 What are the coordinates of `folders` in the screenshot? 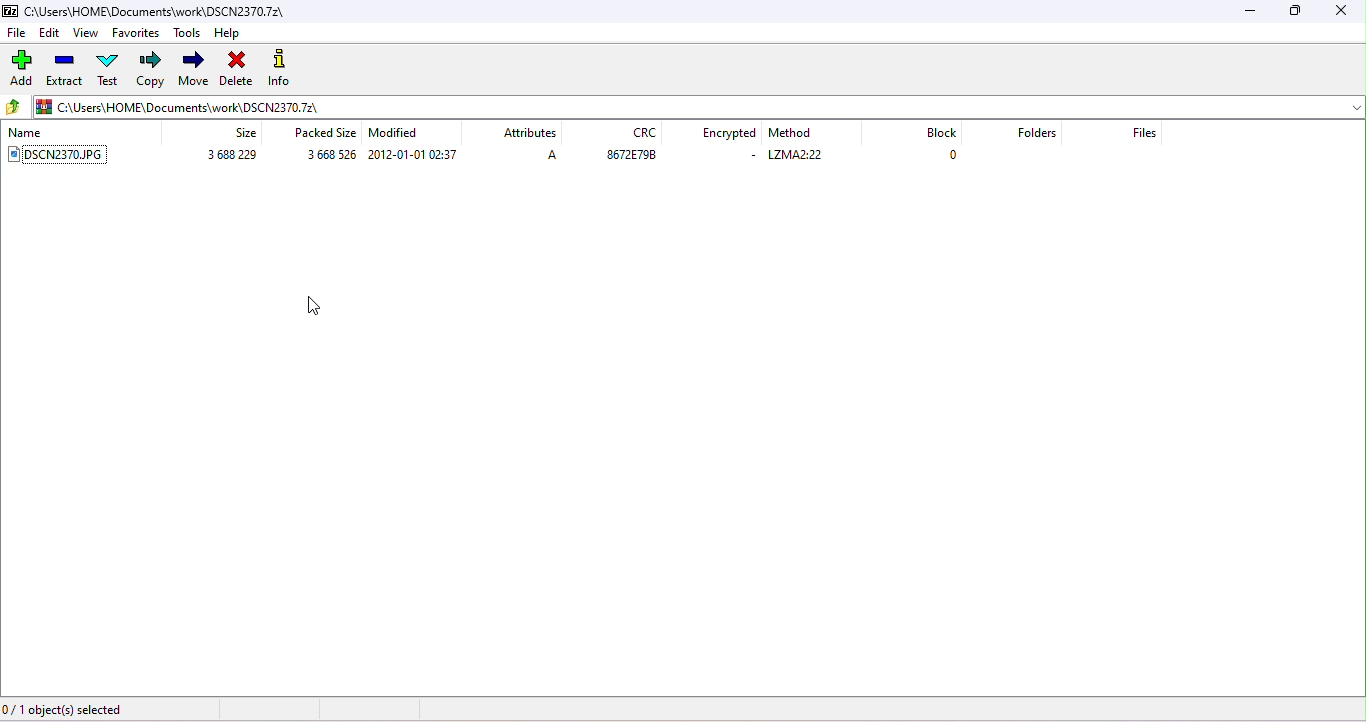 It's located at (1038, 134).